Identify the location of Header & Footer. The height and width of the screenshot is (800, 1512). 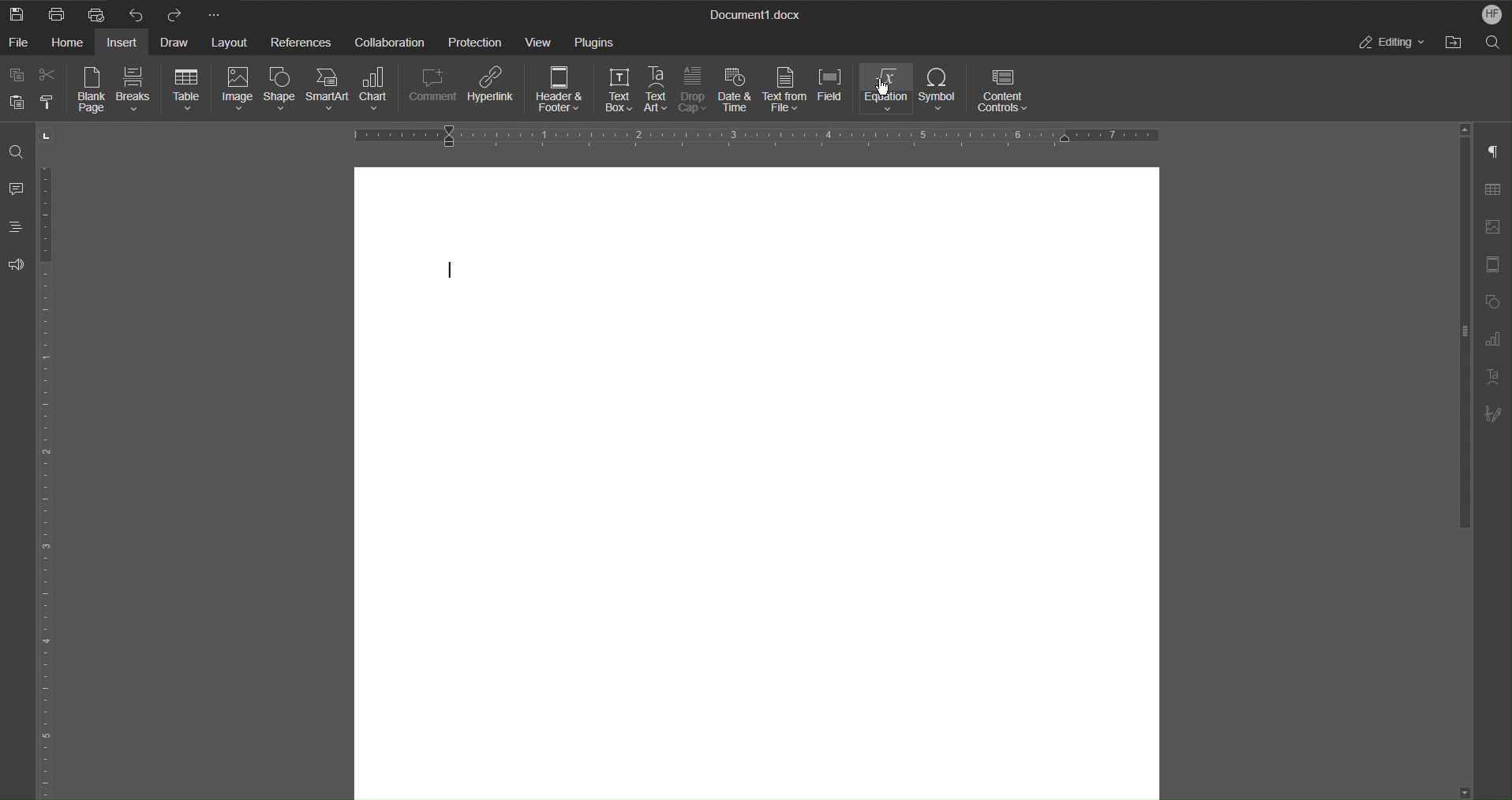
(560, 90).